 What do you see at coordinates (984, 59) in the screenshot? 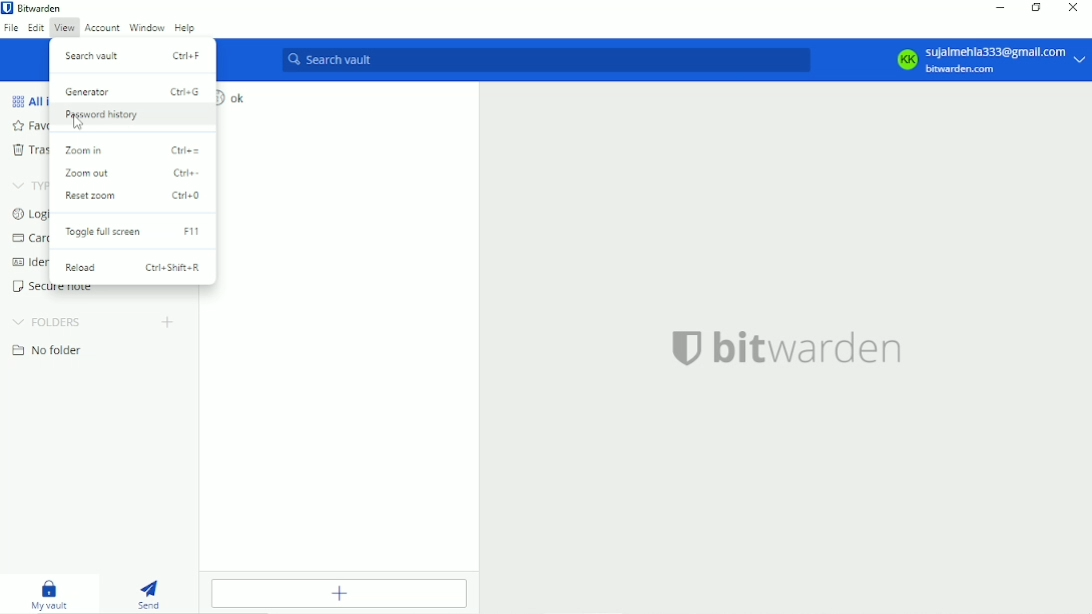
I see `KK Sujalmehla333@gmail.com      bitwarden.com` at bounding box center [984, 59].